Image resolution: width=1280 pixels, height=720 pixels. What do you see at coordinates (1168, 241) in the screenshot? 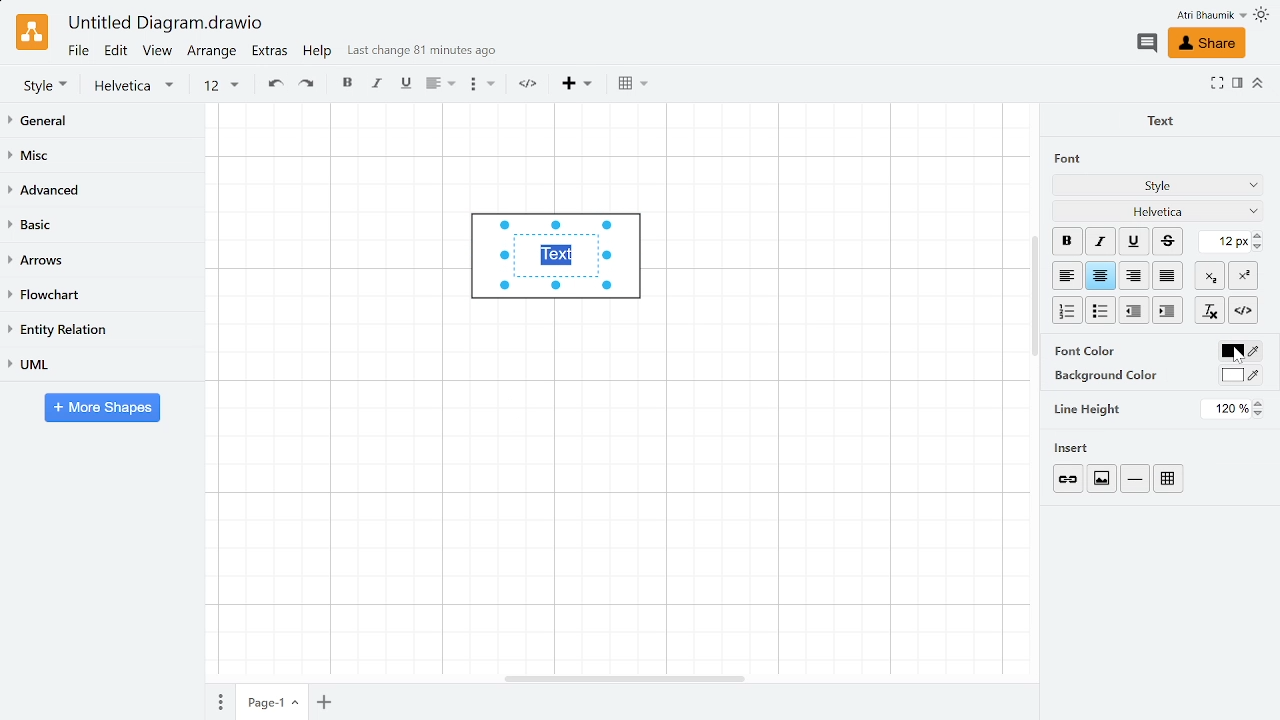
I see `Strikethrough` at bounding box center [1168, 241].